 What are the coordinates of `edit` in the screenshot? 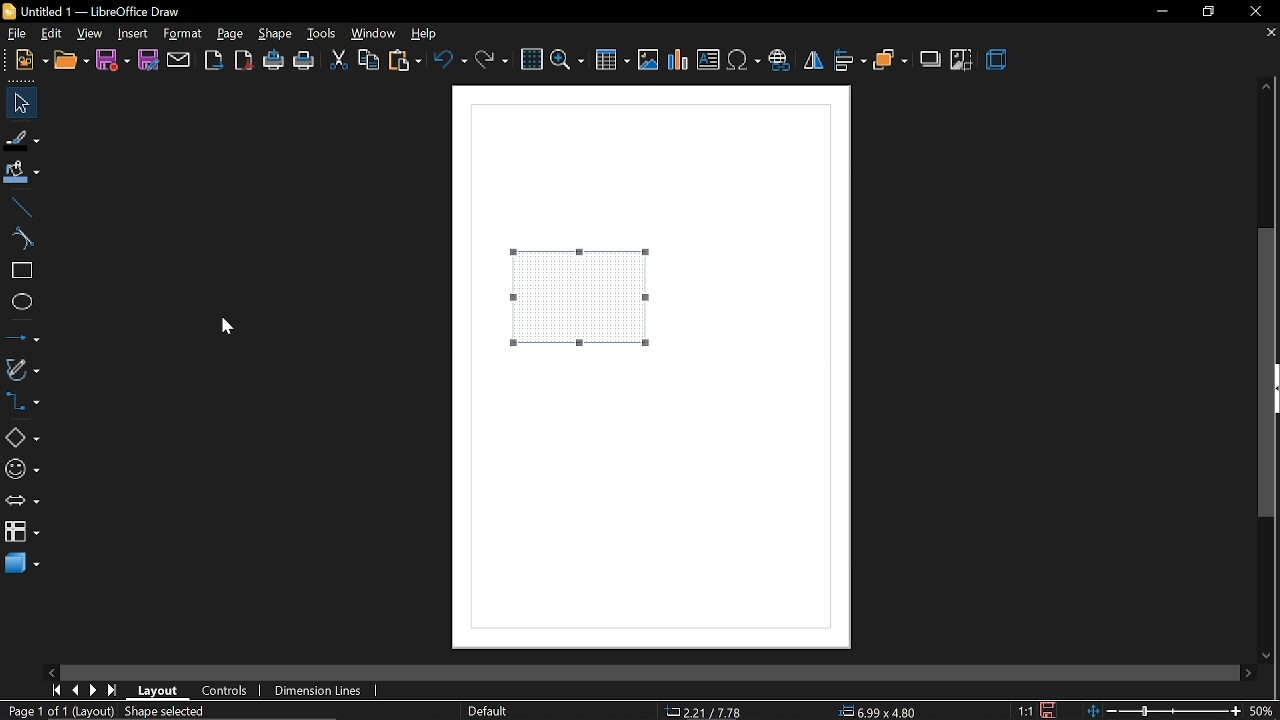 It's located at (50, 32).